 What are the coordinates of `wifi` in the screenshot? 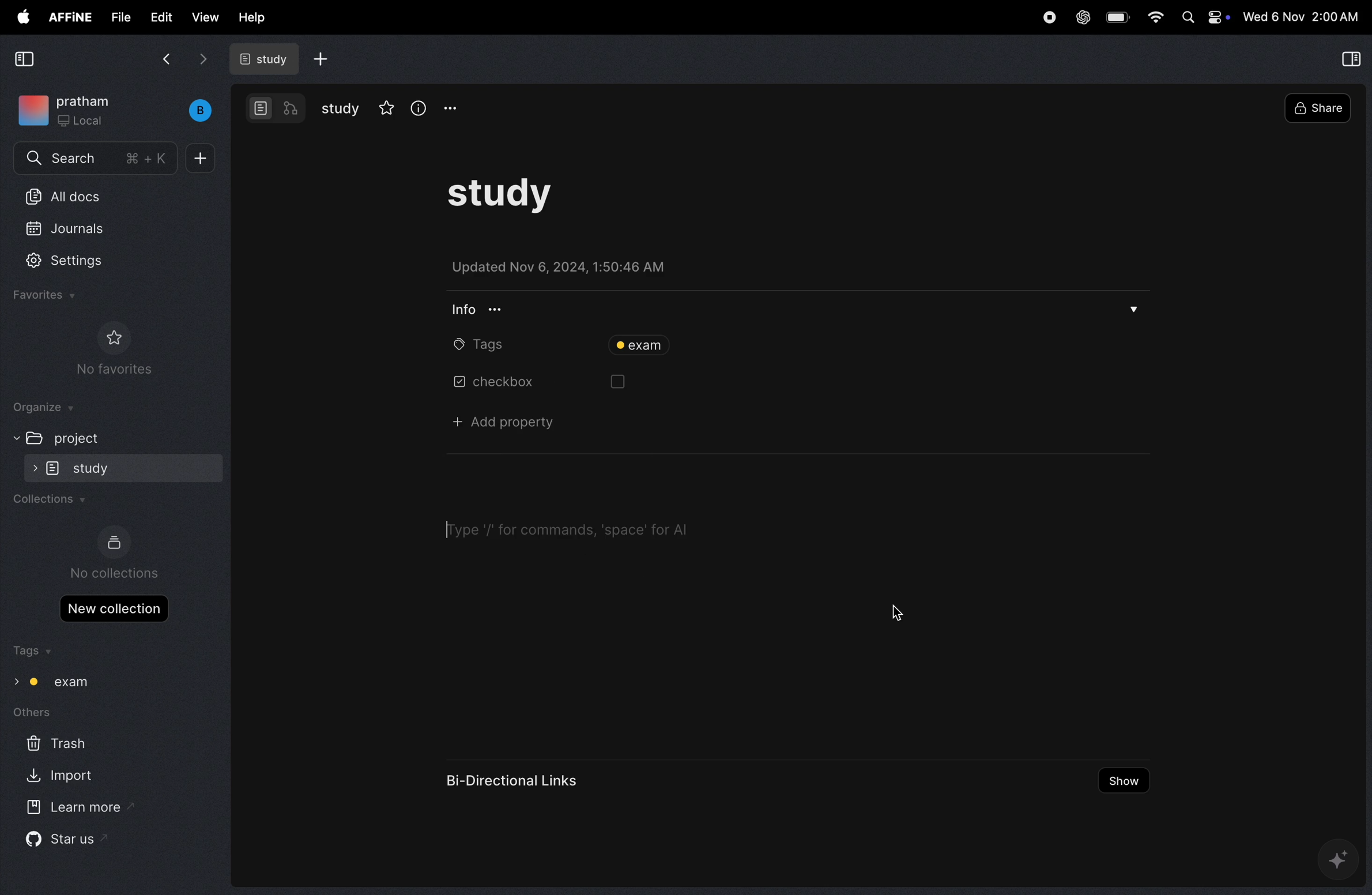 It's located at (1155, 18).